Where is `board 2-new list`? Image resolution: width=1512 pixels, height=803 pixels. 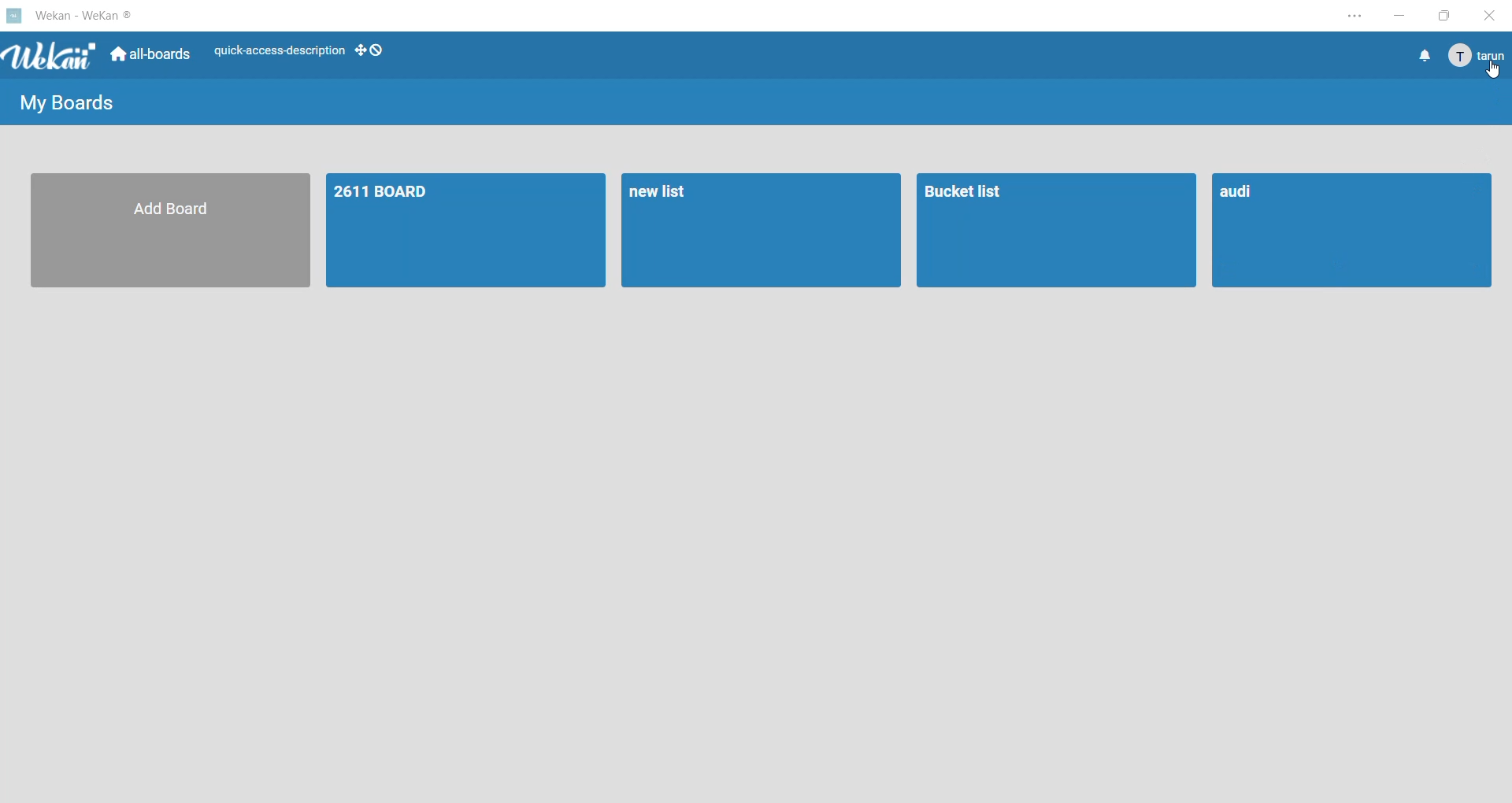
board 2-new list is located at coordinates (760, 229).